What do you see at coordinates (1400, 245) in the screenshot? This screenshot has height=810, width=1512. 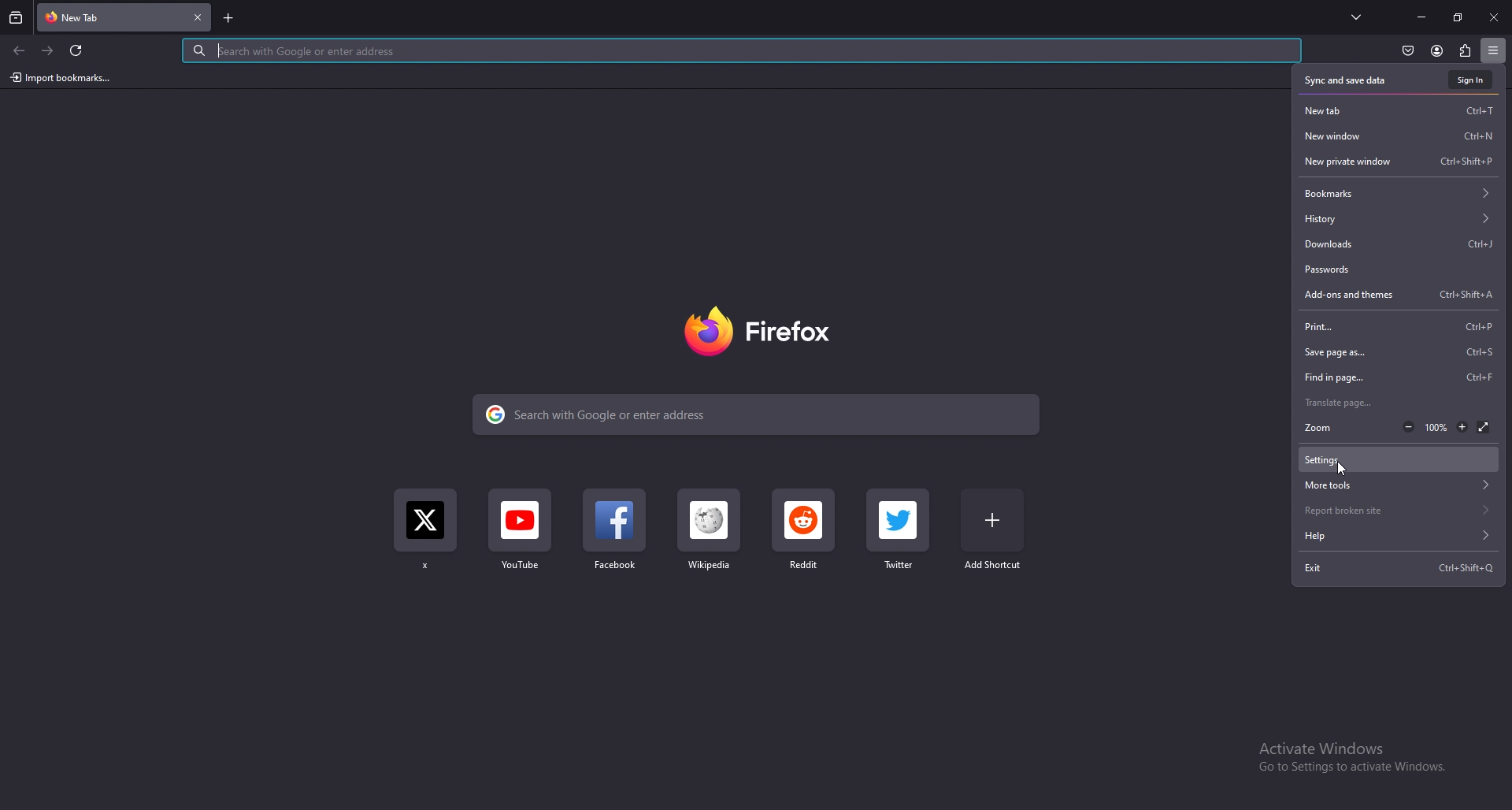 I see `downloads` at bounding box center [1400, 245].